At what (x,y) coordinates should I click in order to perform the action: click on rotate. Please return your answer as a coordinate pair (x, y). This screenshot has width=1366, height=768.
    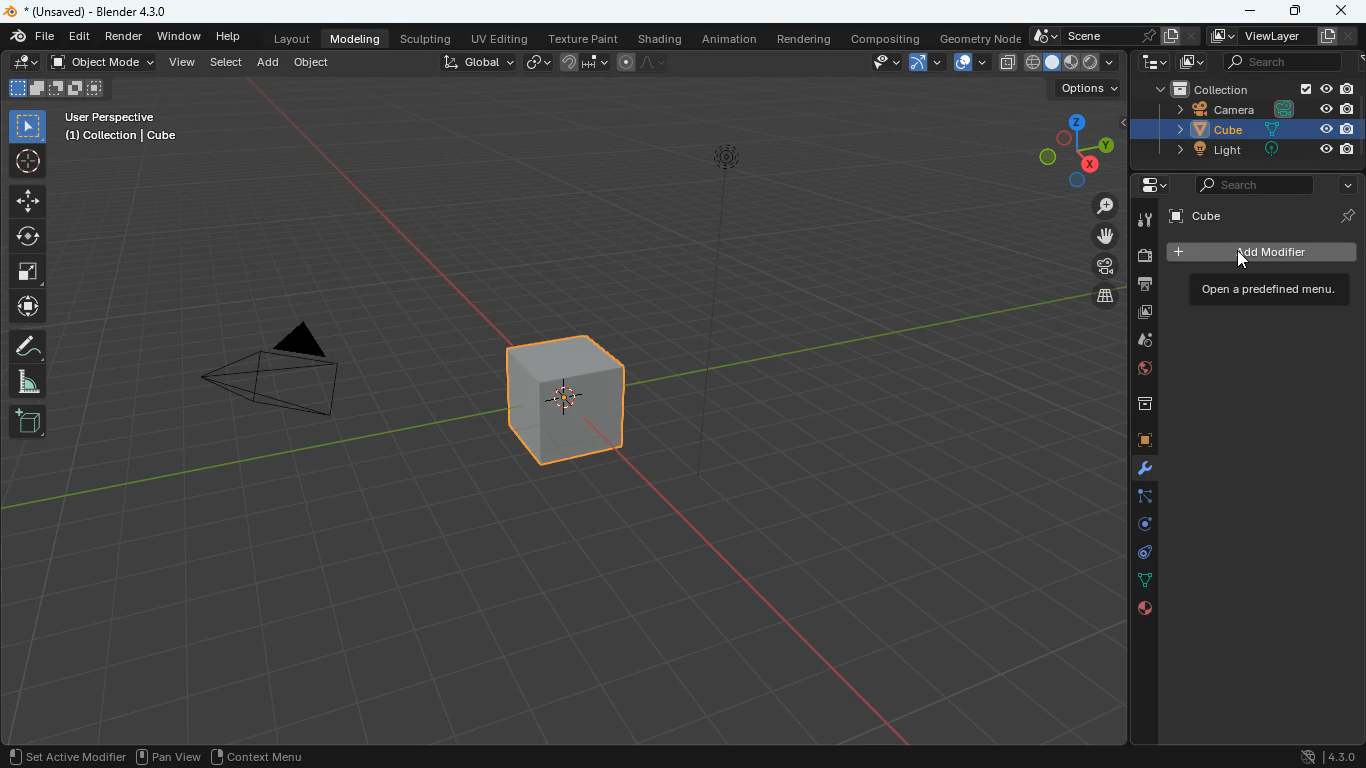
    Looking at the image, I should click on (1135, 524).